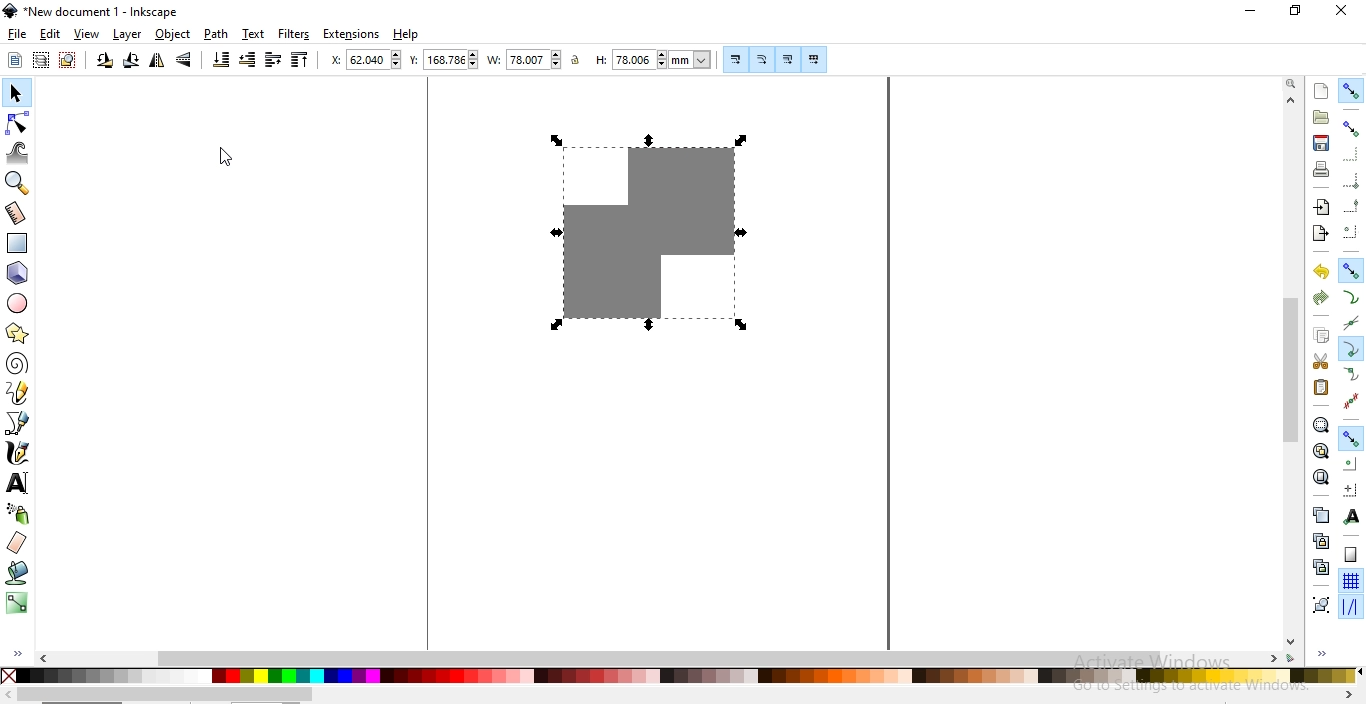  Describe the element at coordinates (368, 62) in the screenshot. I see `horizontal coordinate of selection` at that location.